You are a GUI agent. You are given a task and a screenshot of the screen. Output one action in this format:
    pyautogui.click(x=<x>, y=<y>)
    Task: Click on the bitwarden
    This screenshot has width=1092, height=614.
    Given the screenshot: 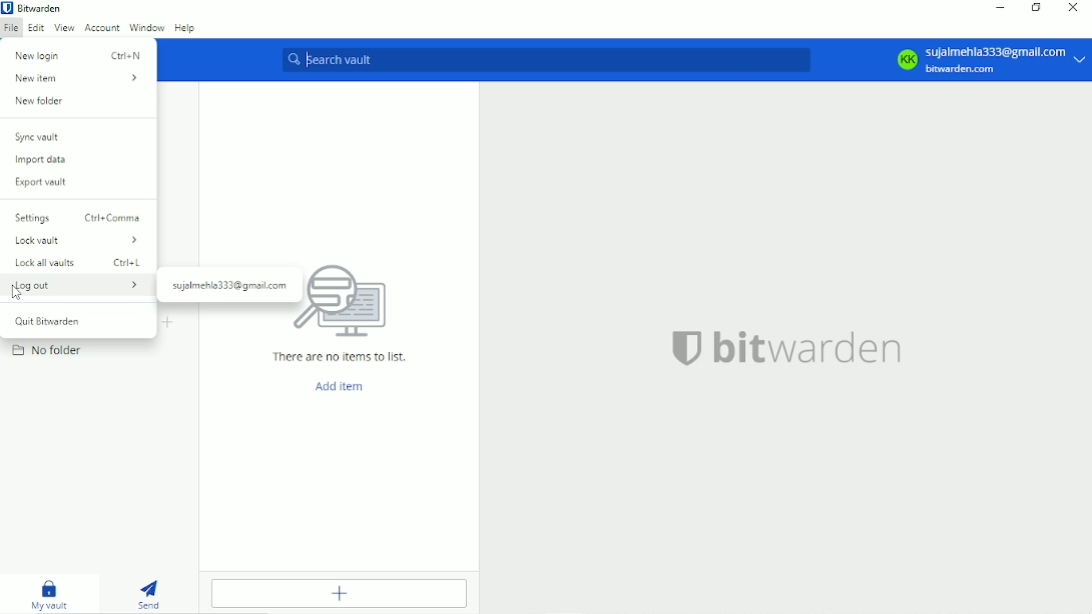 What is the action you would take?
    pyautogui.click(x=810, y=348)
    